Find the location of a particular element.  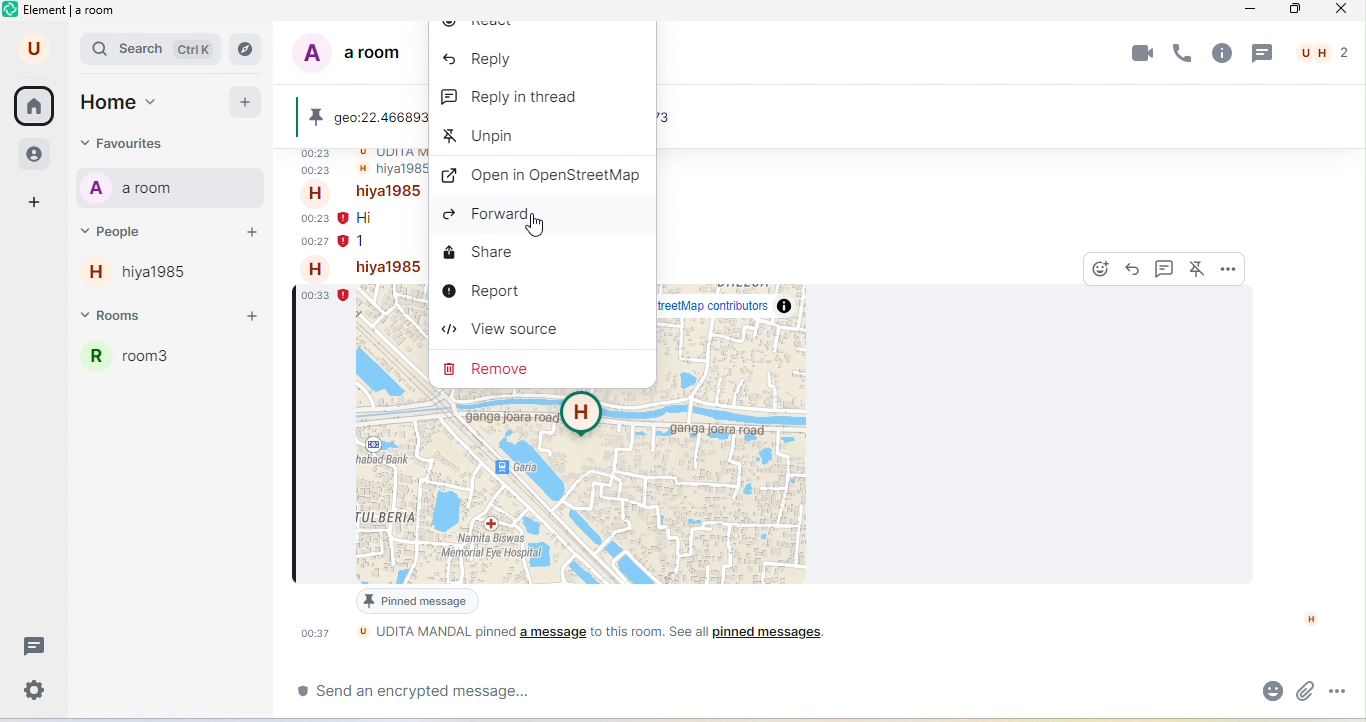

unpin is located at coordinates (1199, 268).